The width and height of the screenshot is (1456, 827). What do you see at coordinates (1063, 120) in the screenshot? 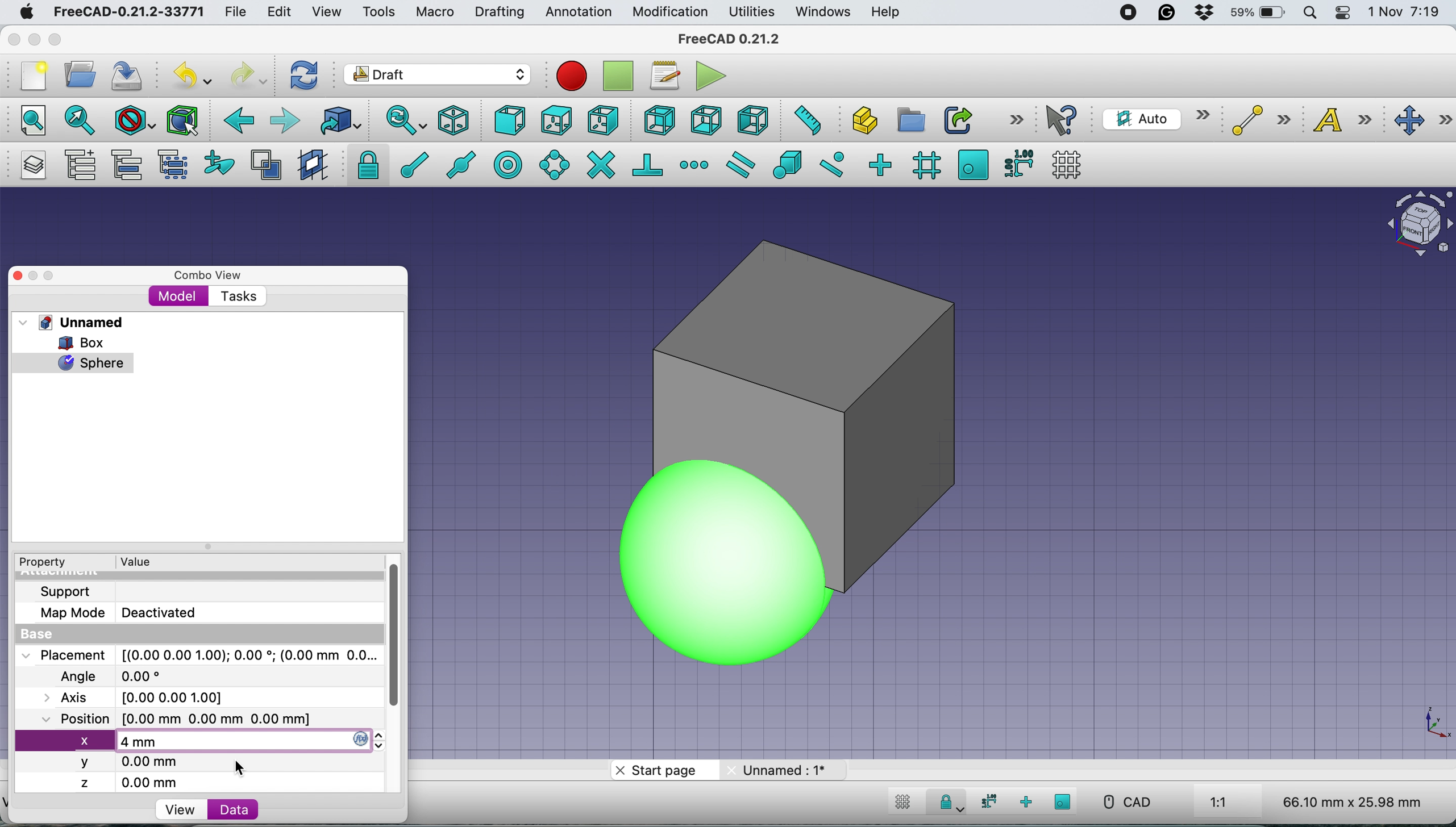
I see `what's this` at bounding box center [1063, 120].